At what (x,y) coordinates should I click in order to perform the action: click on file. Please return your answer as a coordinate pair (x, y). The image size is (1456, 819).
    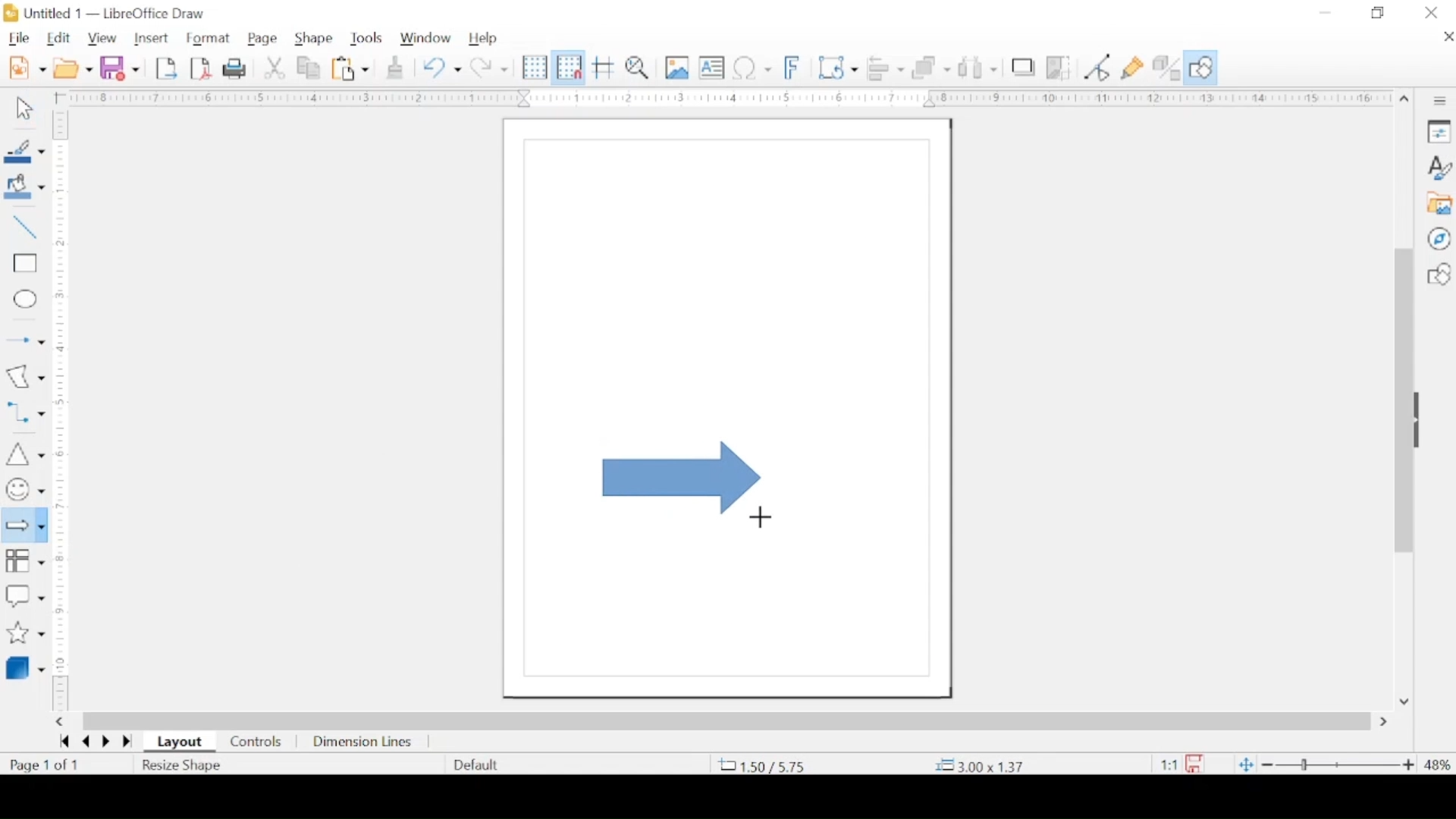
    Looking at the image, I should click on (19, 39).